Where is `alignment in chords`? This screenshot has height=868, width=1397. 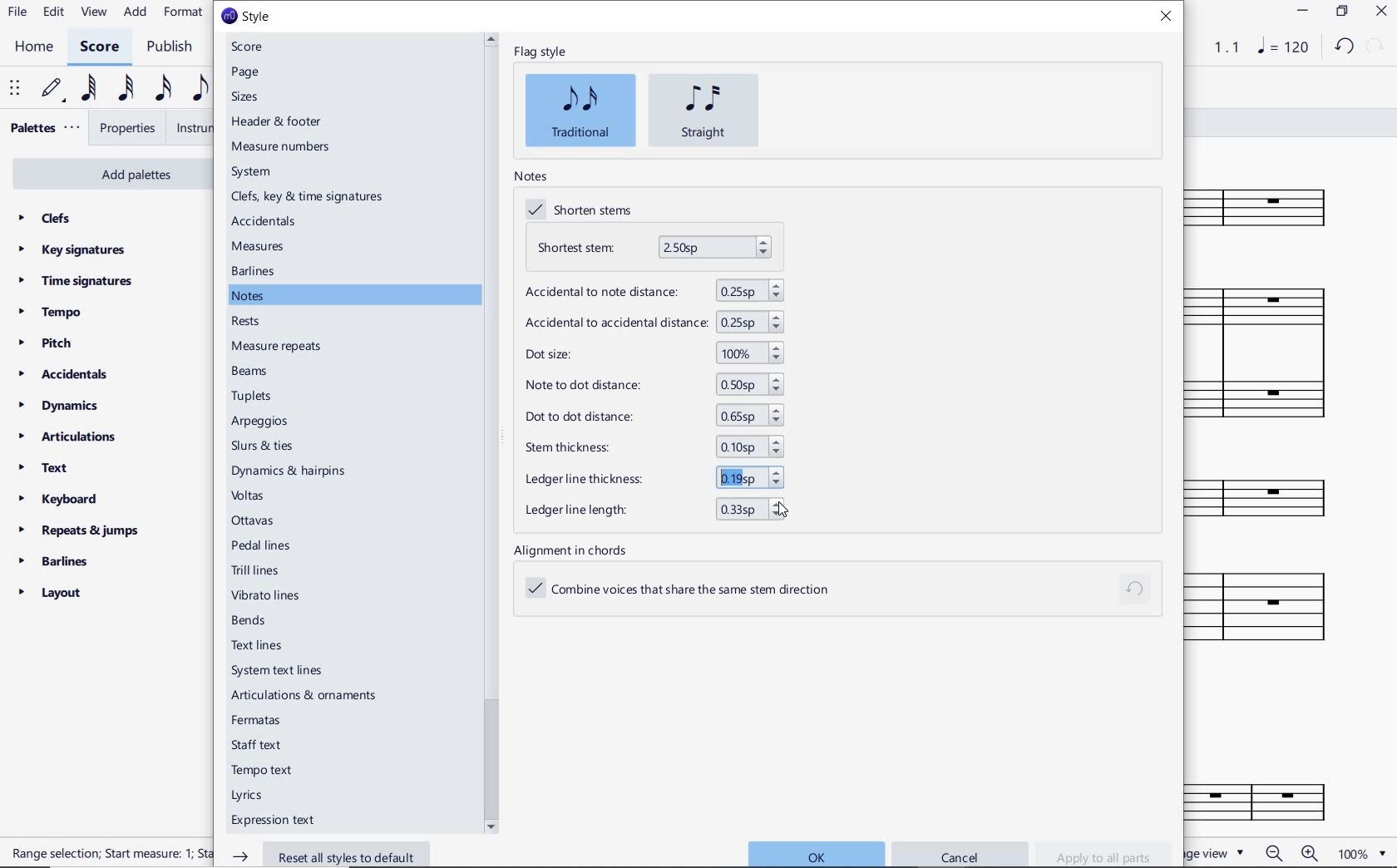 alignment in chords is located at coordinates (575, 550).